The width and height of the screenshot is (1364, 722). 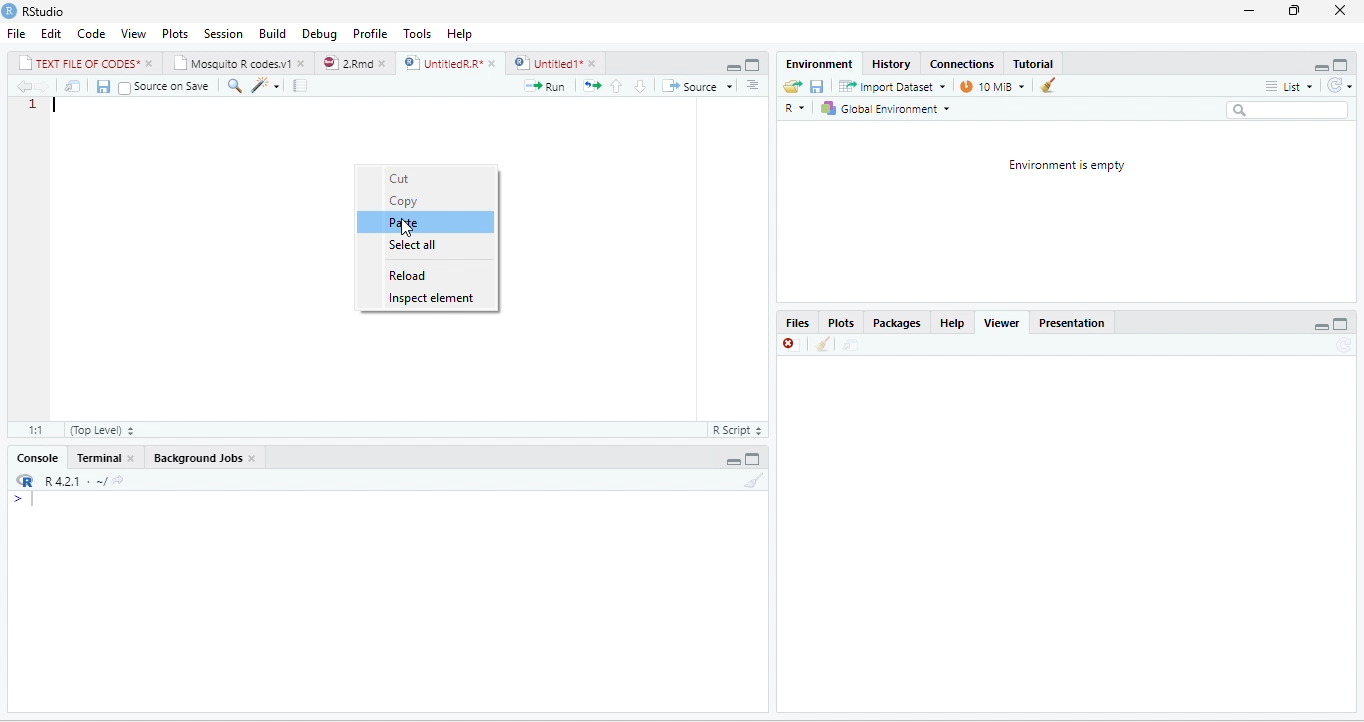 What do you see at coordinates (885, 108) in the screenshot?
I see `| Global Environment =` at bounding box center [885, 108].